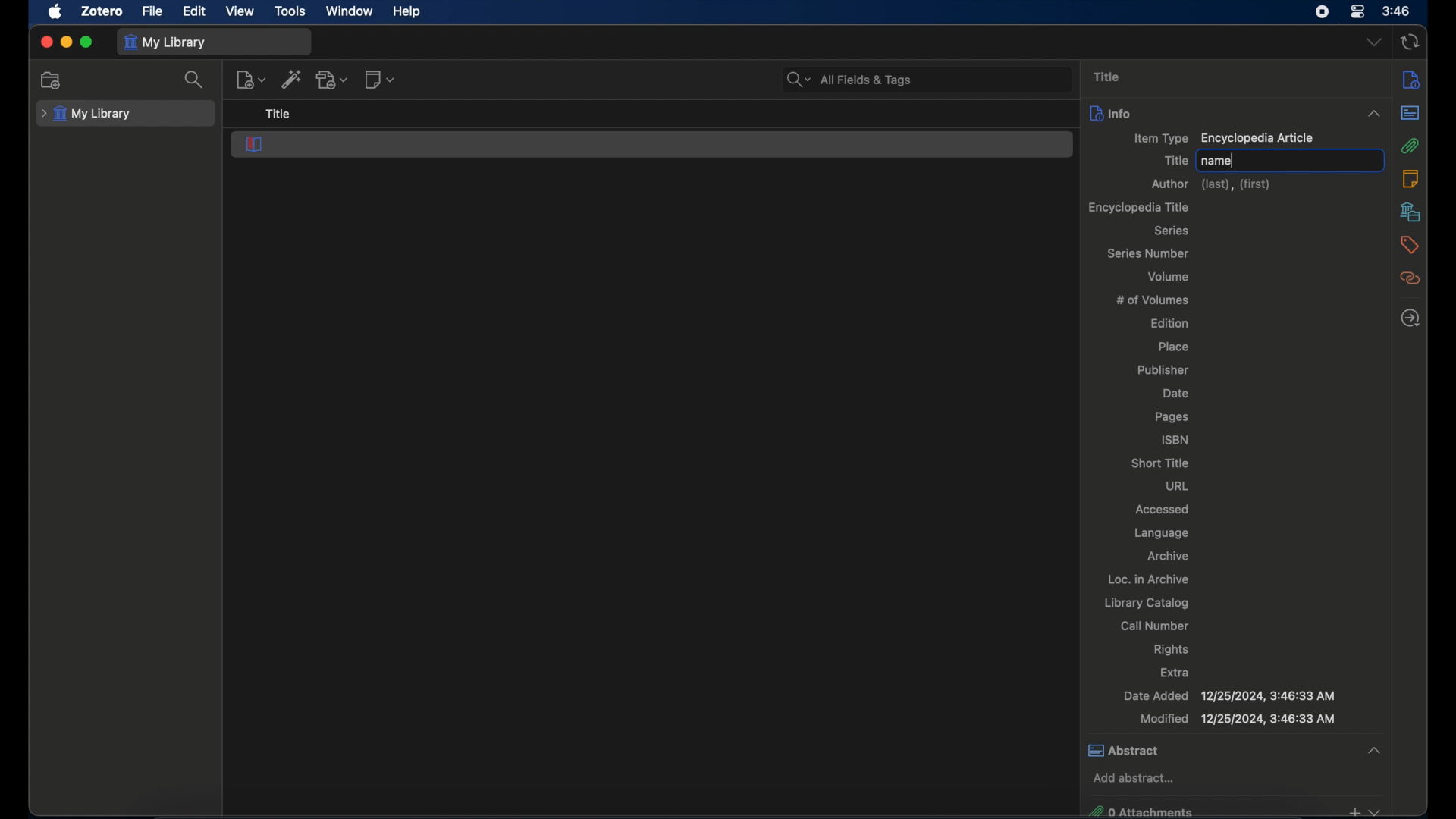 Image resolution: width=1456 pixels, height=819 pixels. I want to click on related, so click(1410, 278).